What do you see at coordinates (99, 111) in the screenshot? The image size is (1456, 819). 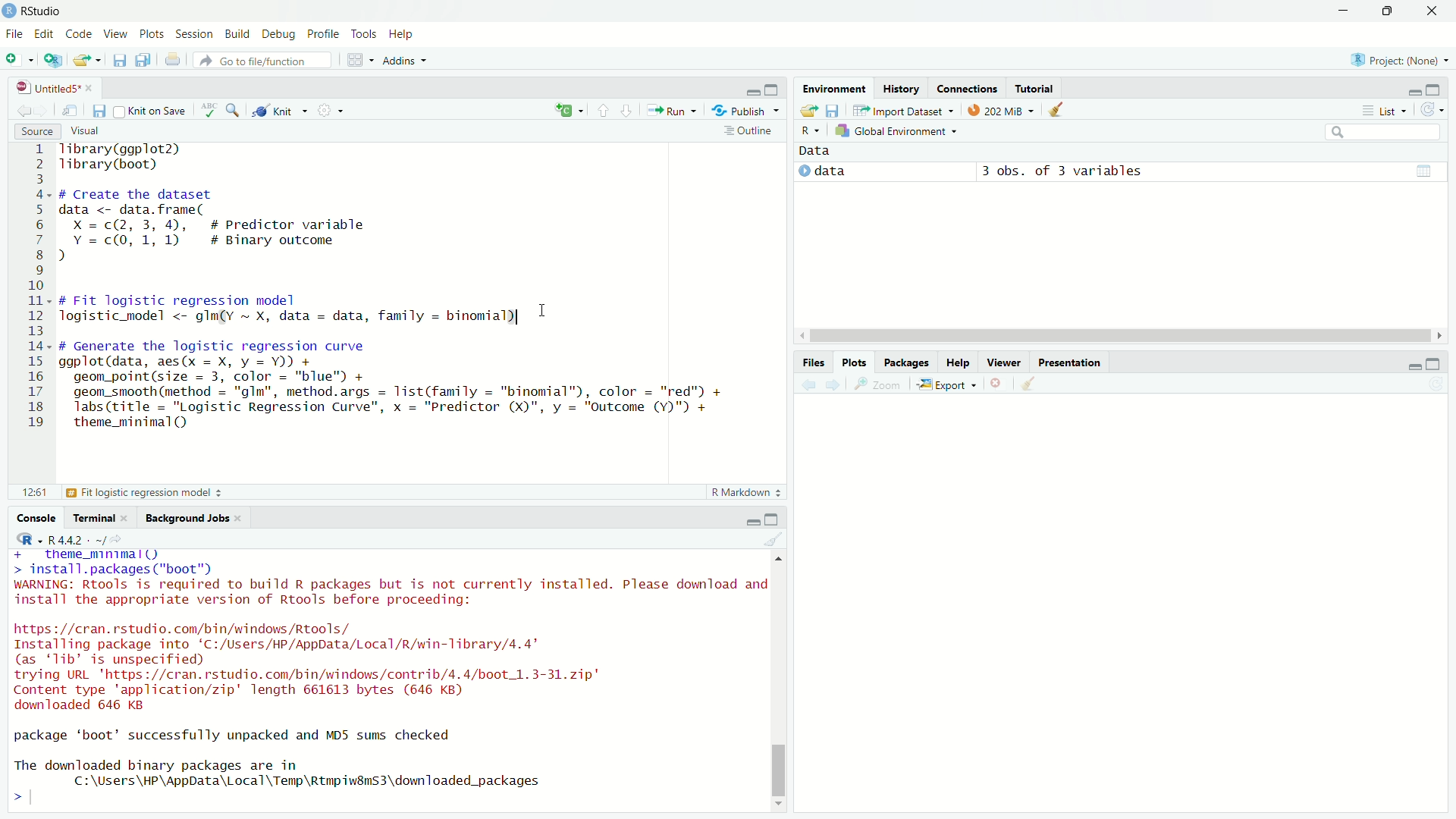 I see `Save current document` at bounding box center [99, 111].